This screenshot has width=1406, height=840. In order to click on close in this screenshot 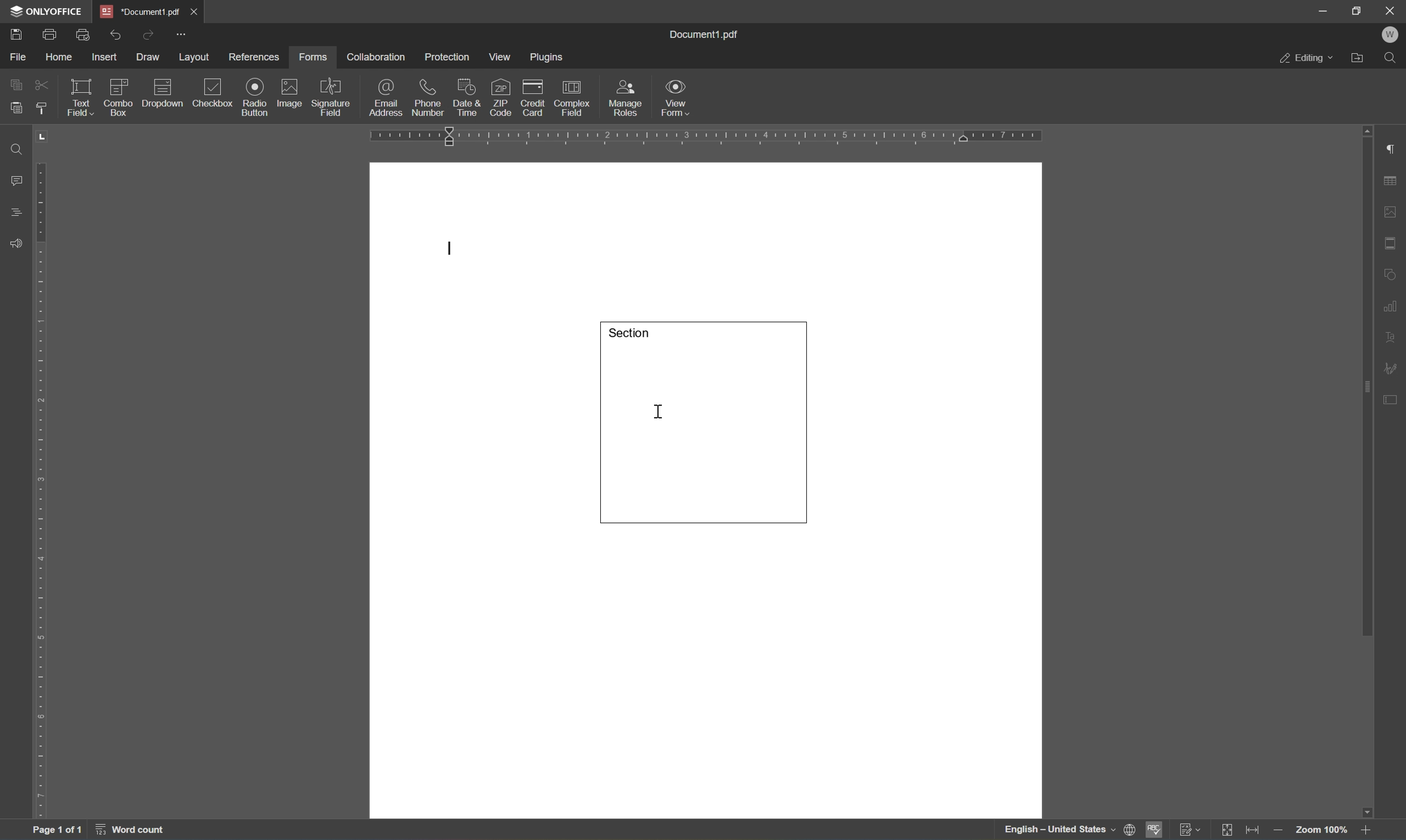, I will do `click(1391, 10)`.